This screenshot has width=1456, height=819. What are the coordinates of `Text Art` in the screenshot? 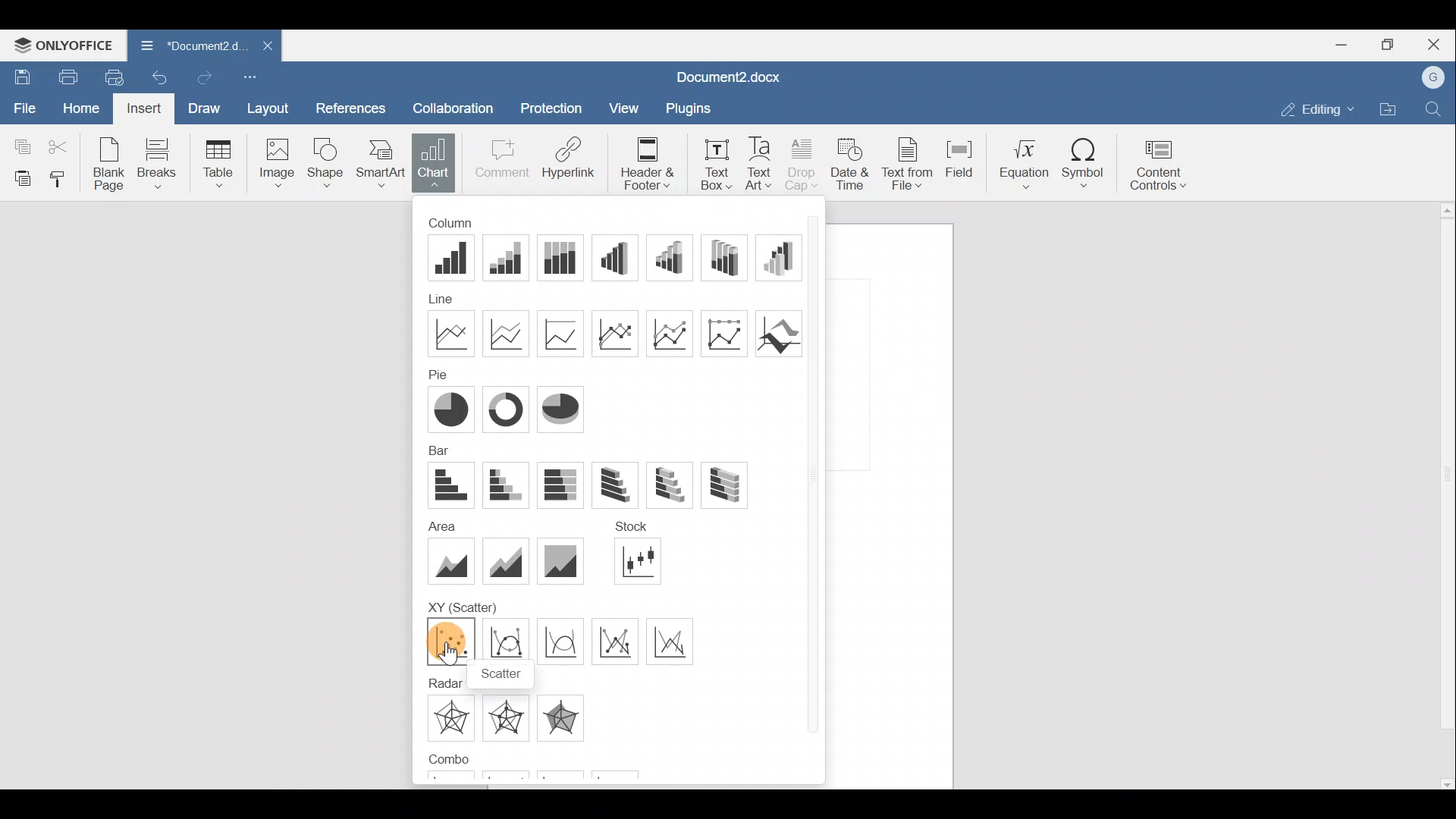 It's located at (761, 162).